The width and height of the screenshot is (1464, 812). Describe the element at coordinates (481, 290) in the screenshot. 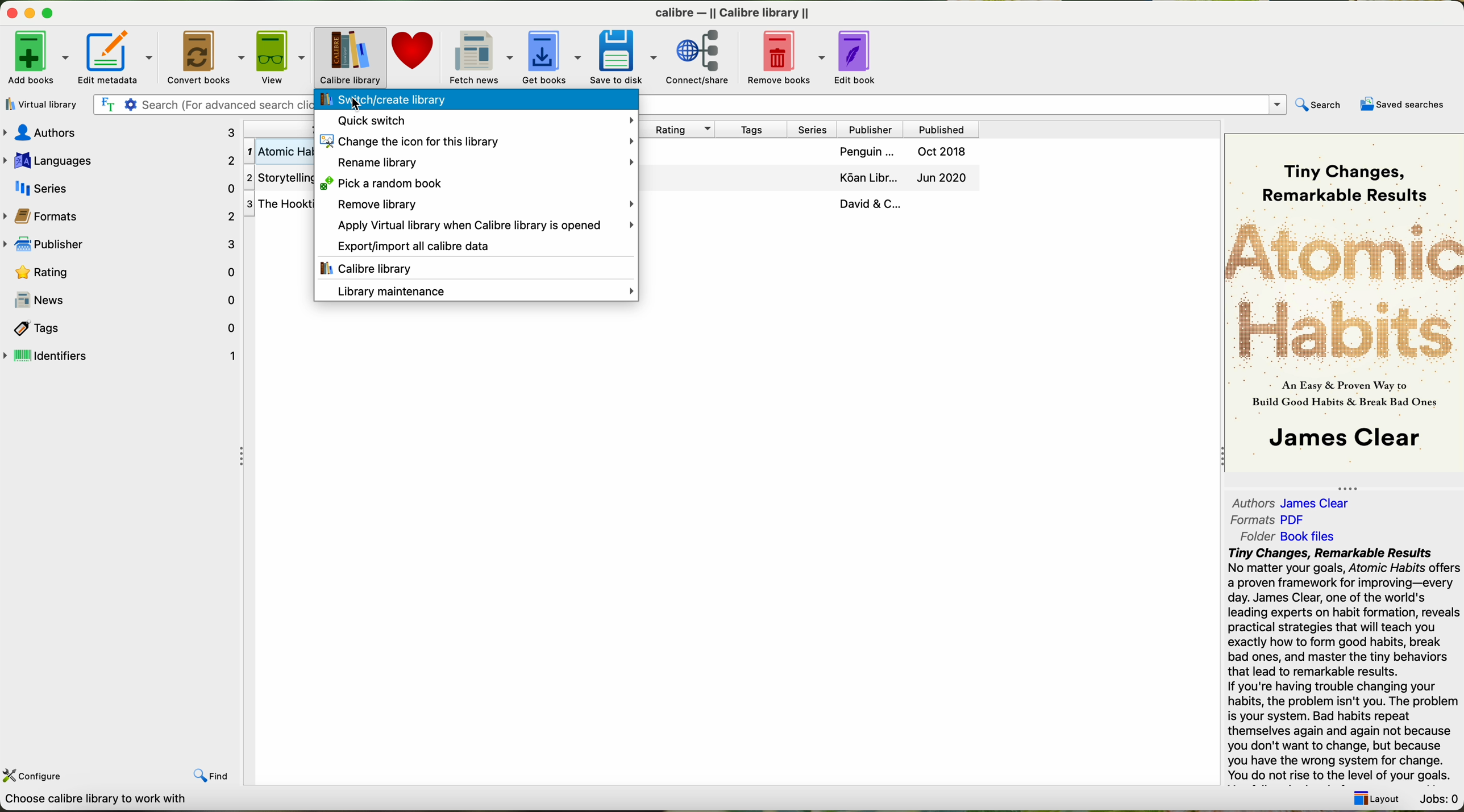

I see `library maintenance` at that location.